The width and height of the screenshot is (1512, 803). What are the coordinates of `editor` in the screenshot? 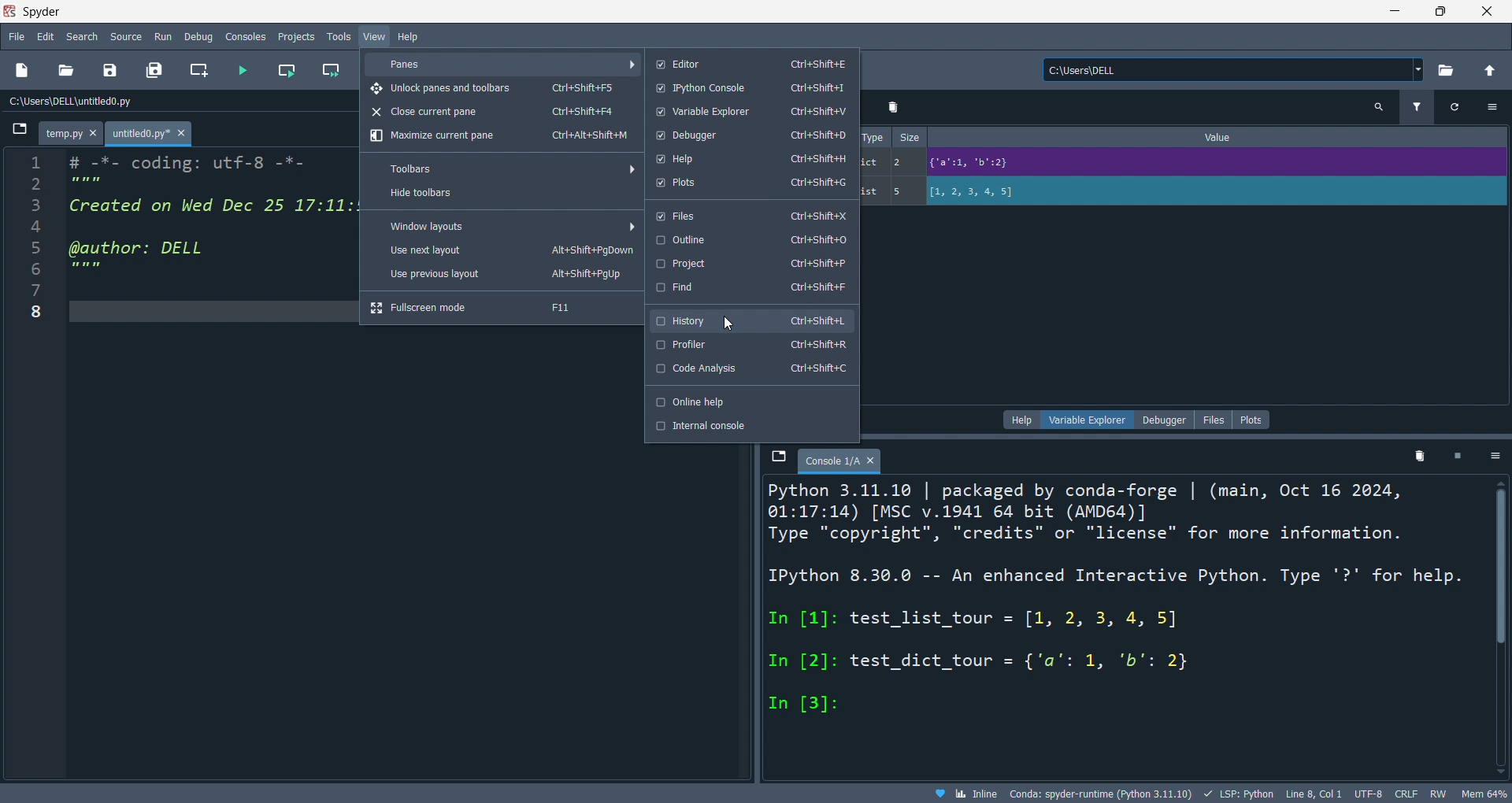 It's located at (748, 63).